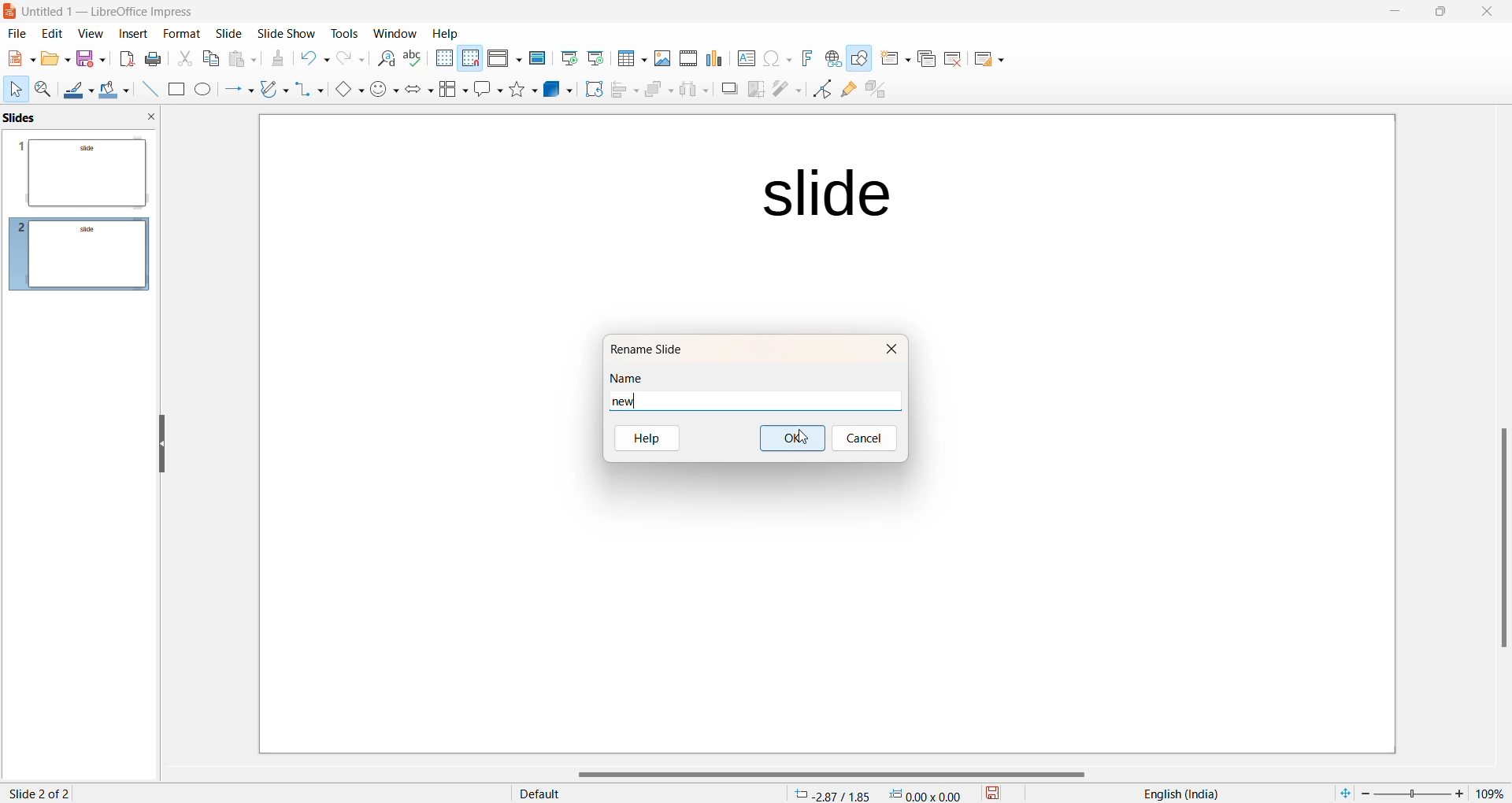  I want to click on Master slide, so click(537, 58).